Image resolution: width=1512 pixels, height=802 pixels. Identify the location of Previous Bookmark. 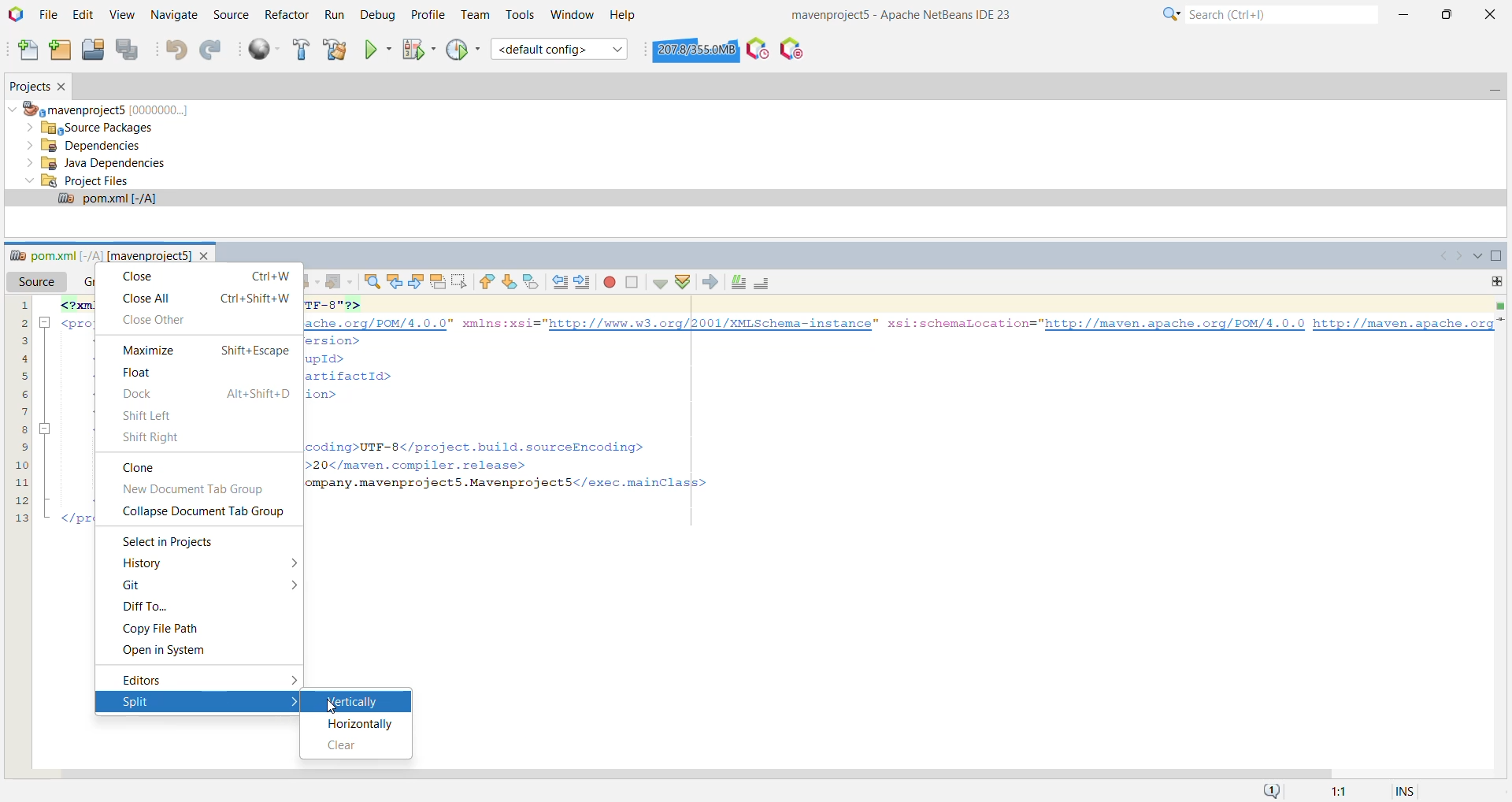
(486, 282).